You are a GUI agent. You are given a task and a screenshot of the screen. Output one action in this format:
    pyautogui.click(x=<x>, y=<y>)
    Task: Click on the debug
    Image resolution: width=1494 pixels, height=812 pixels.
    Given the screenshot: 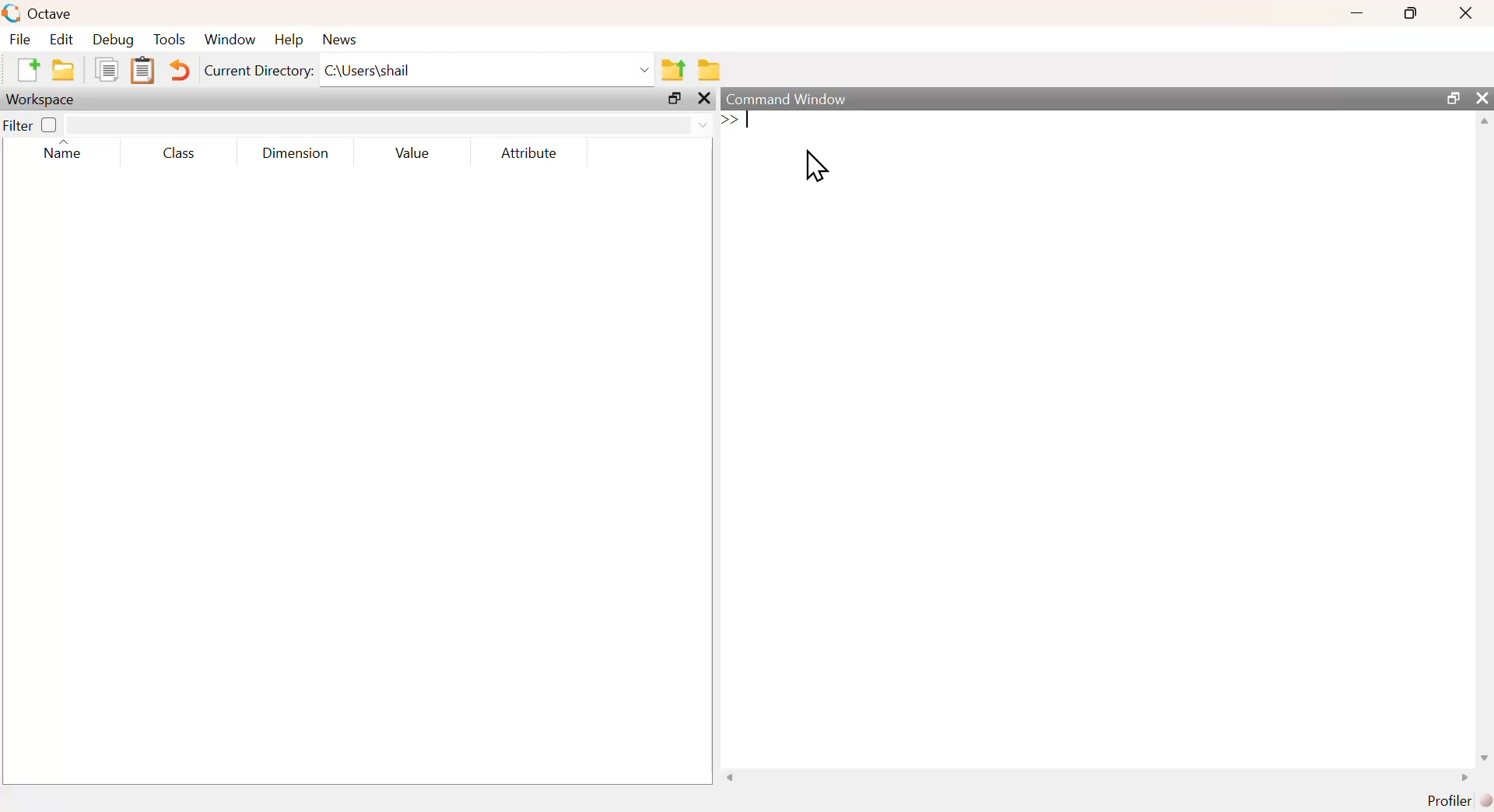 What is the action you would take?
    pyautogui.click(x=116, y=40)
    